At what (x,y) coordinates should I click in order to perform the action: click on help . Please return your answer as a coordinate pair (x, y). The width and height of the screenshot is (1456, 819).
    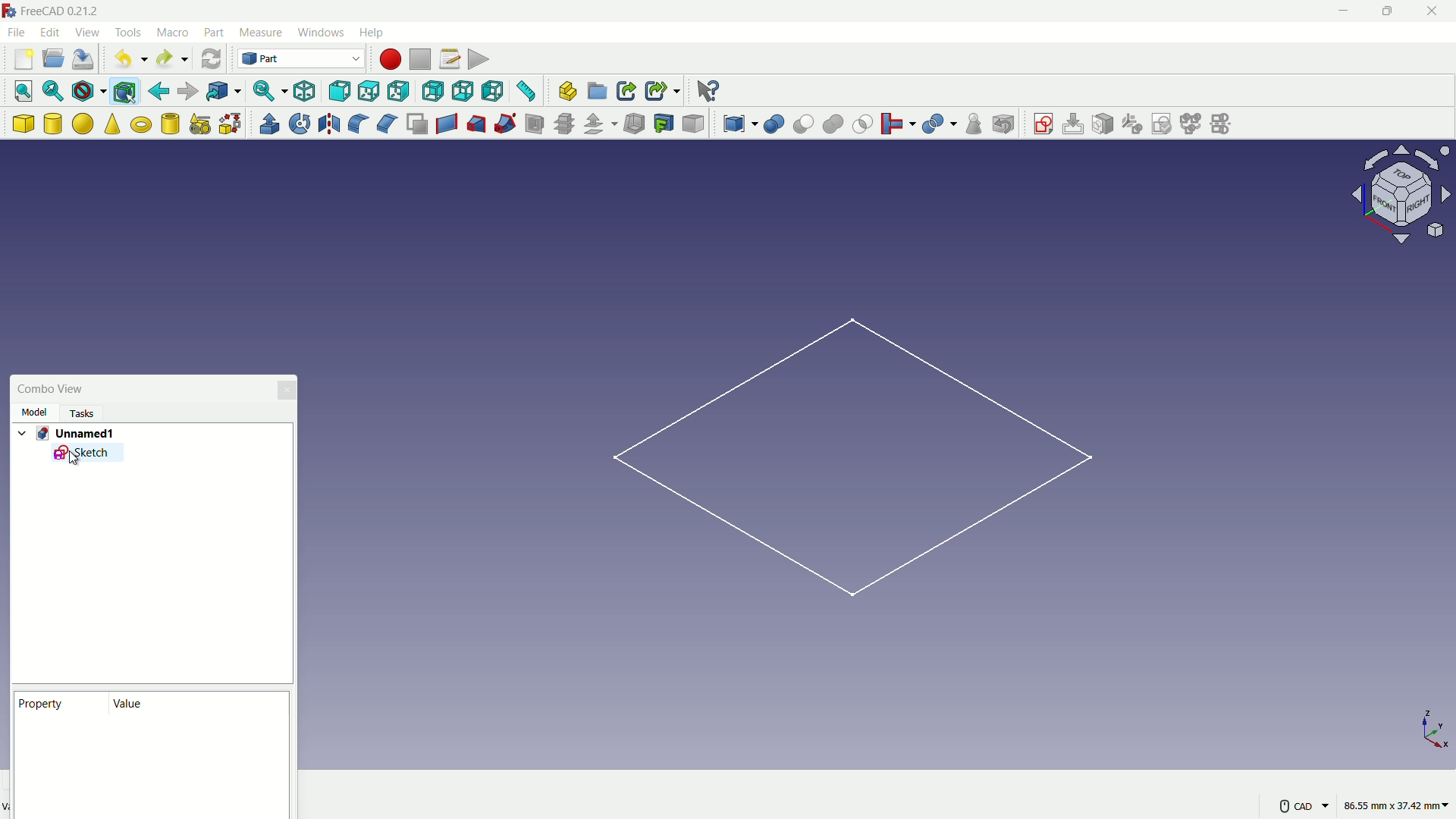
    Looking at the image, I should click on (373, 32).